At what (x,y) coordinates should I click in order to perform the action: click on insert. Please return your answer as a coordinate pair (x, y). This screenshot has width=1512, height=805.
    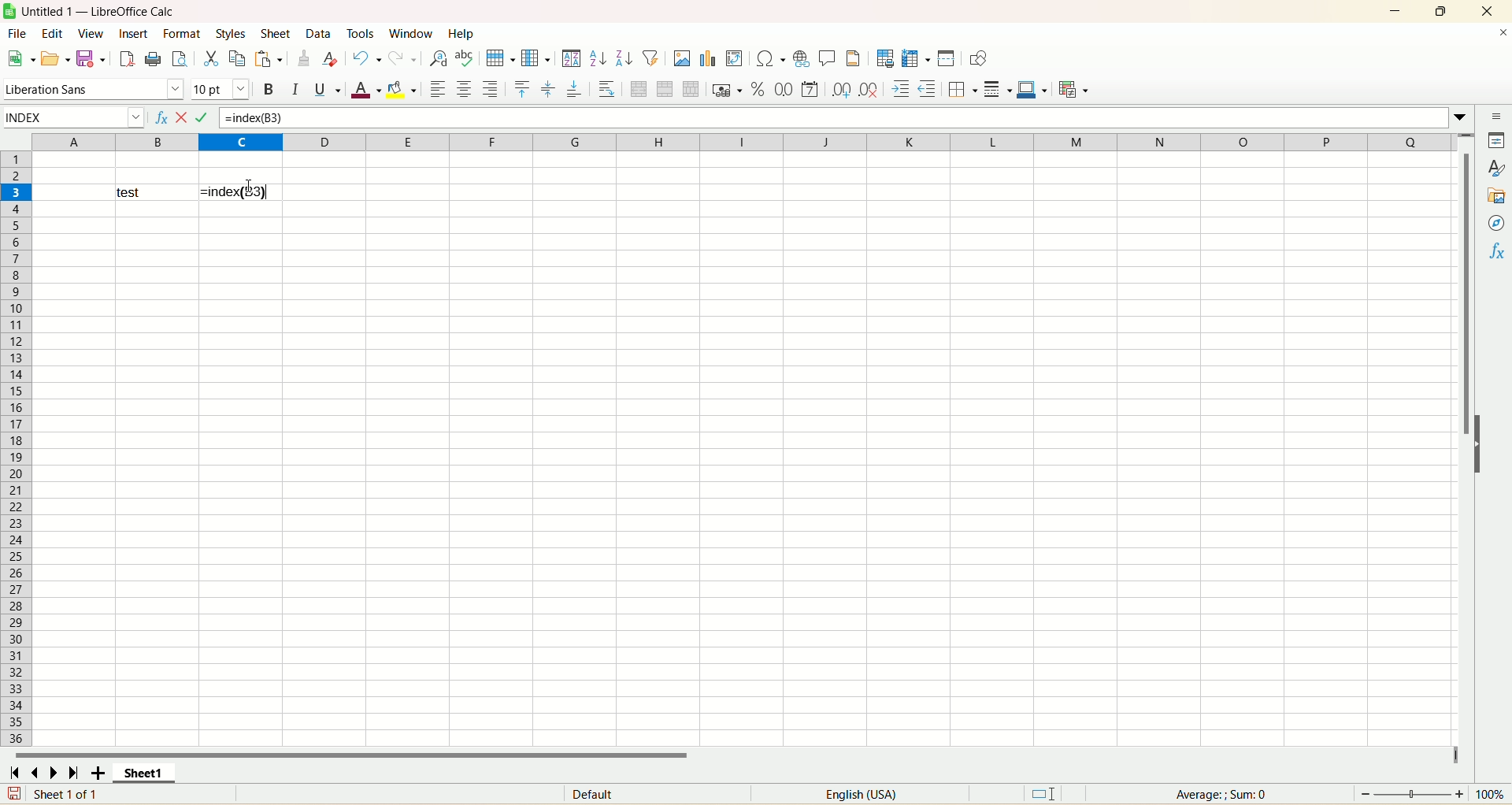
    Looking at the image, I should click on (133, 33).